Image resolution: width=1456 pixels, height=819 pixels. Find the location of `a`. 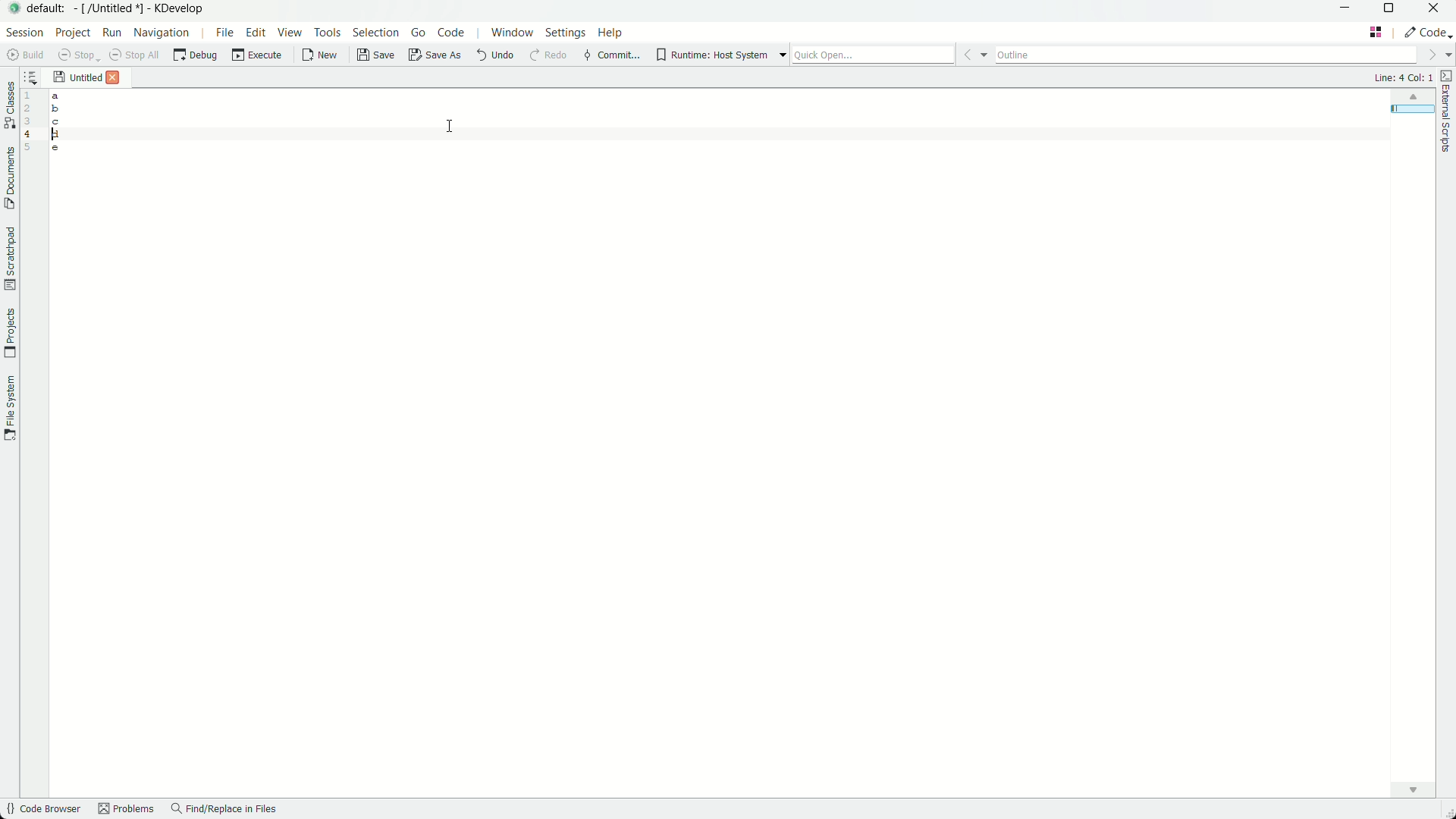

a is located at coordinates (56, 96).